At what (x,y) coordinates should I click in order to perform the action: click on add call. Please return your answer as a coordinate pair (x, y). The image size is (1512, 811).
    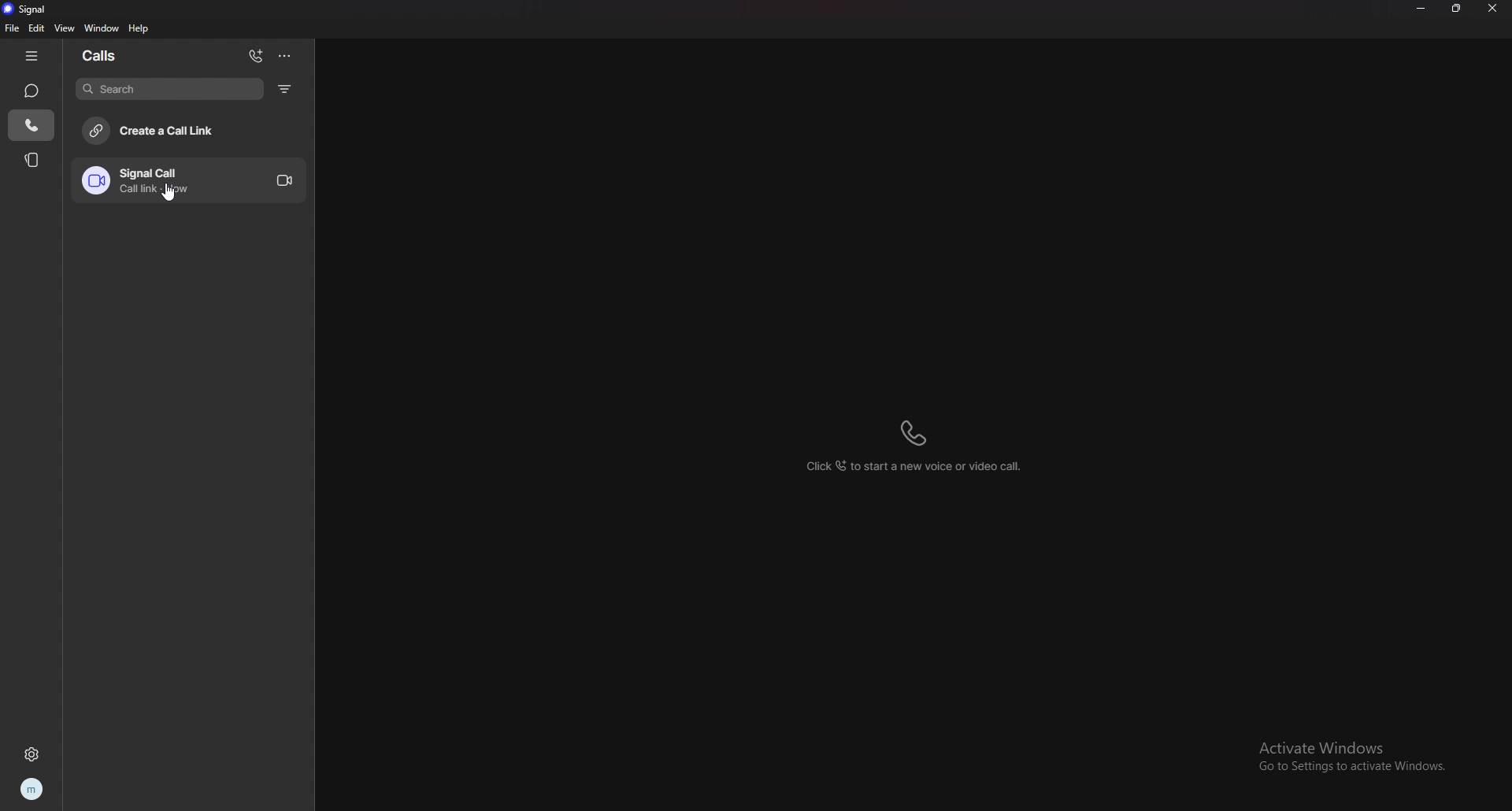
    Looking at the image, I should click on (258, 54).